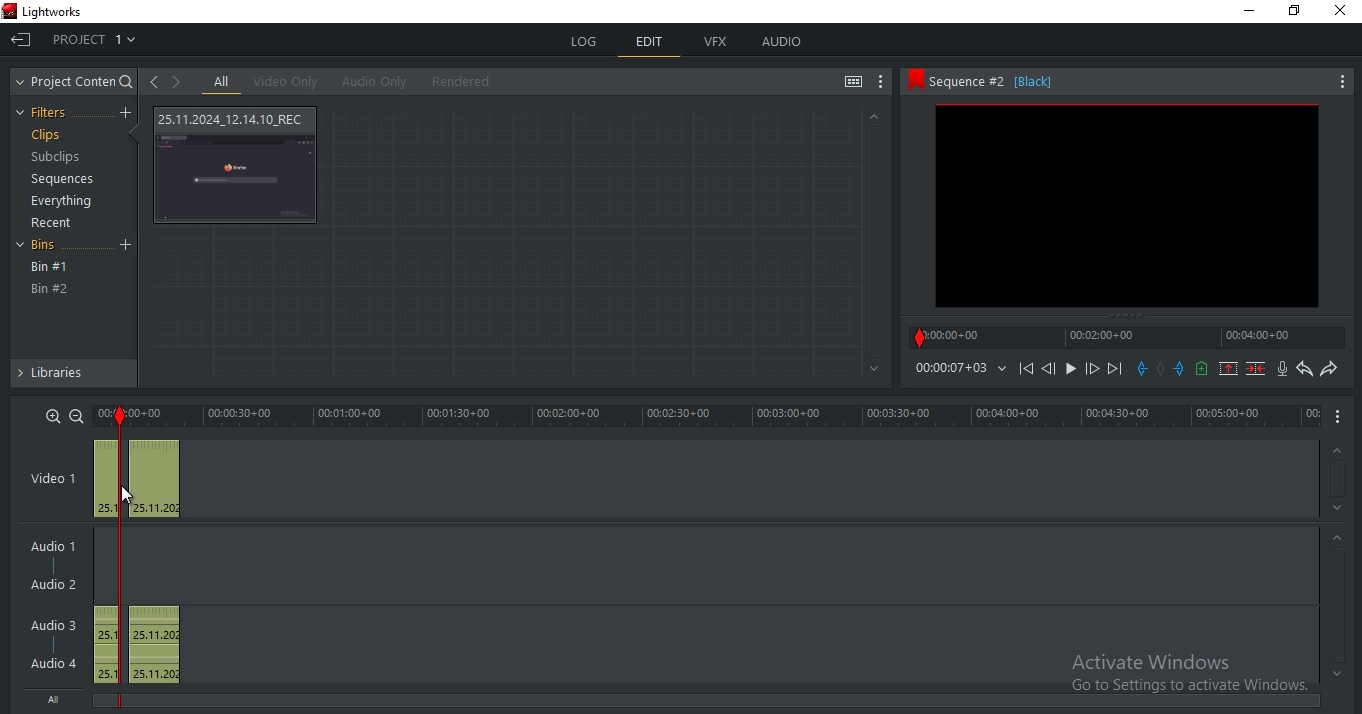 The image size is (1362, 714). What do you see at coordinates (1338, 537) in the screenshot?
I see `Up` at bounding box center [1338, 537].